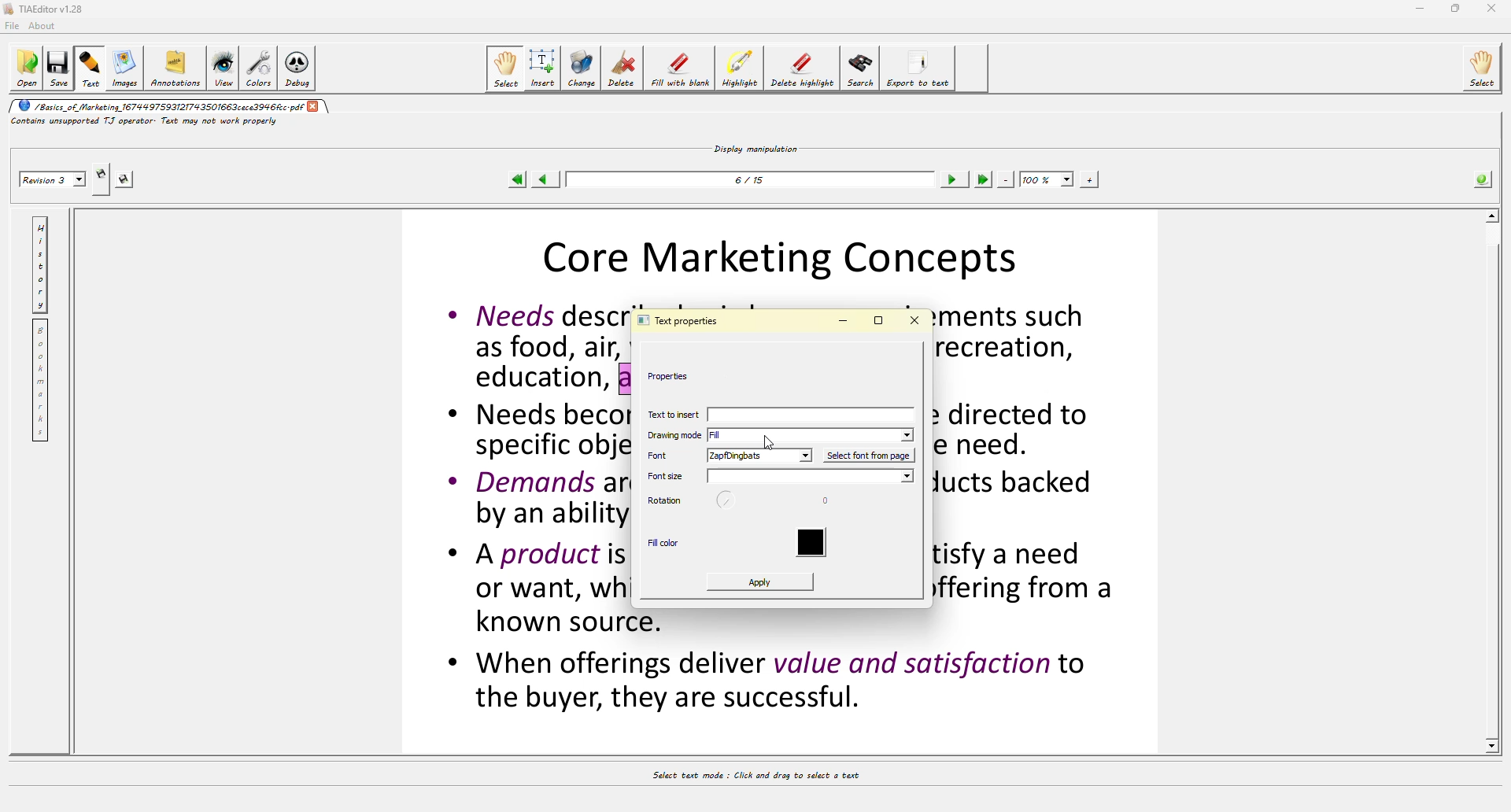  I want to click on delete, so click(623, 67).